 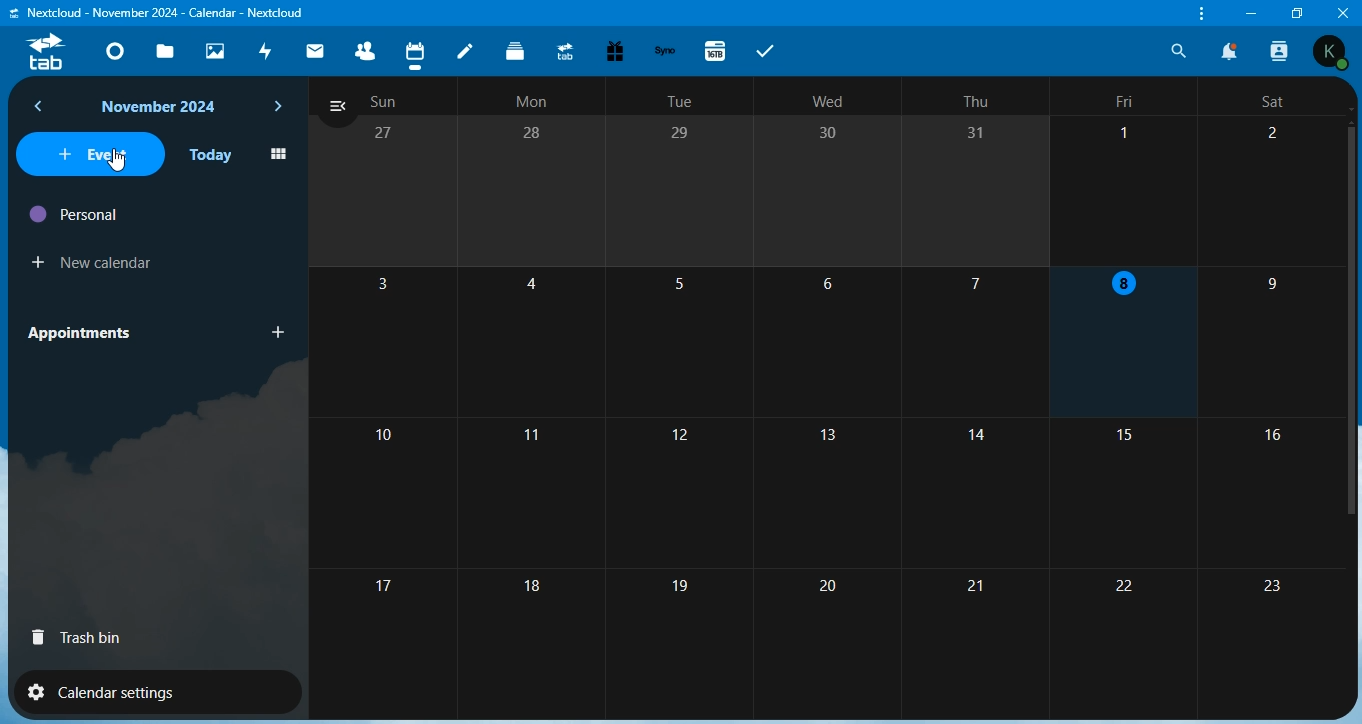 What do you see at coordinates (1231, 51) in the screenshot?
I see `notifications` at bounding box center [1231, 51].